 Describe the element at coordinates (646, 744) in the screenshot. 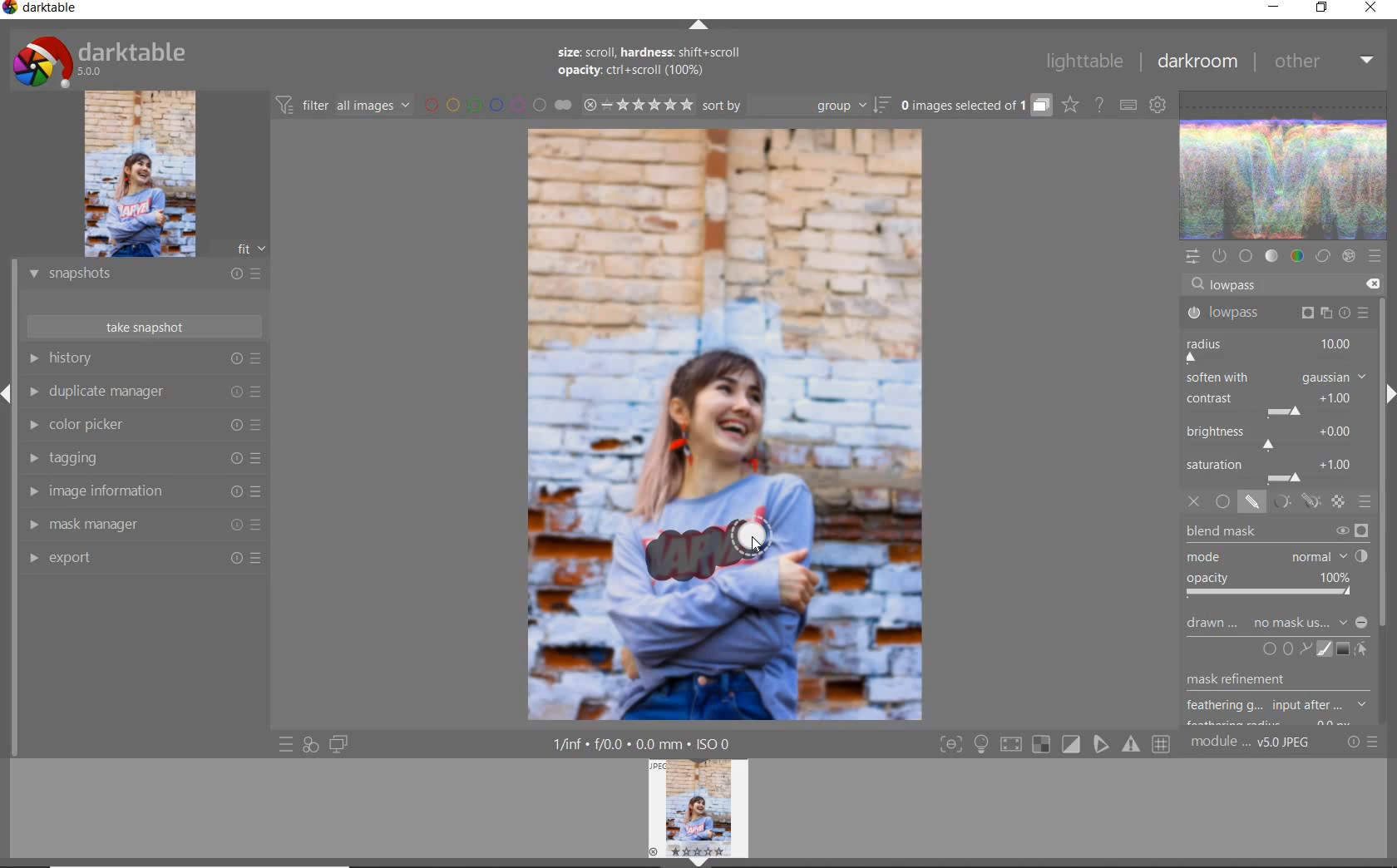

I see `1/inf*f/0.0 mm*ISO 0` at that location.